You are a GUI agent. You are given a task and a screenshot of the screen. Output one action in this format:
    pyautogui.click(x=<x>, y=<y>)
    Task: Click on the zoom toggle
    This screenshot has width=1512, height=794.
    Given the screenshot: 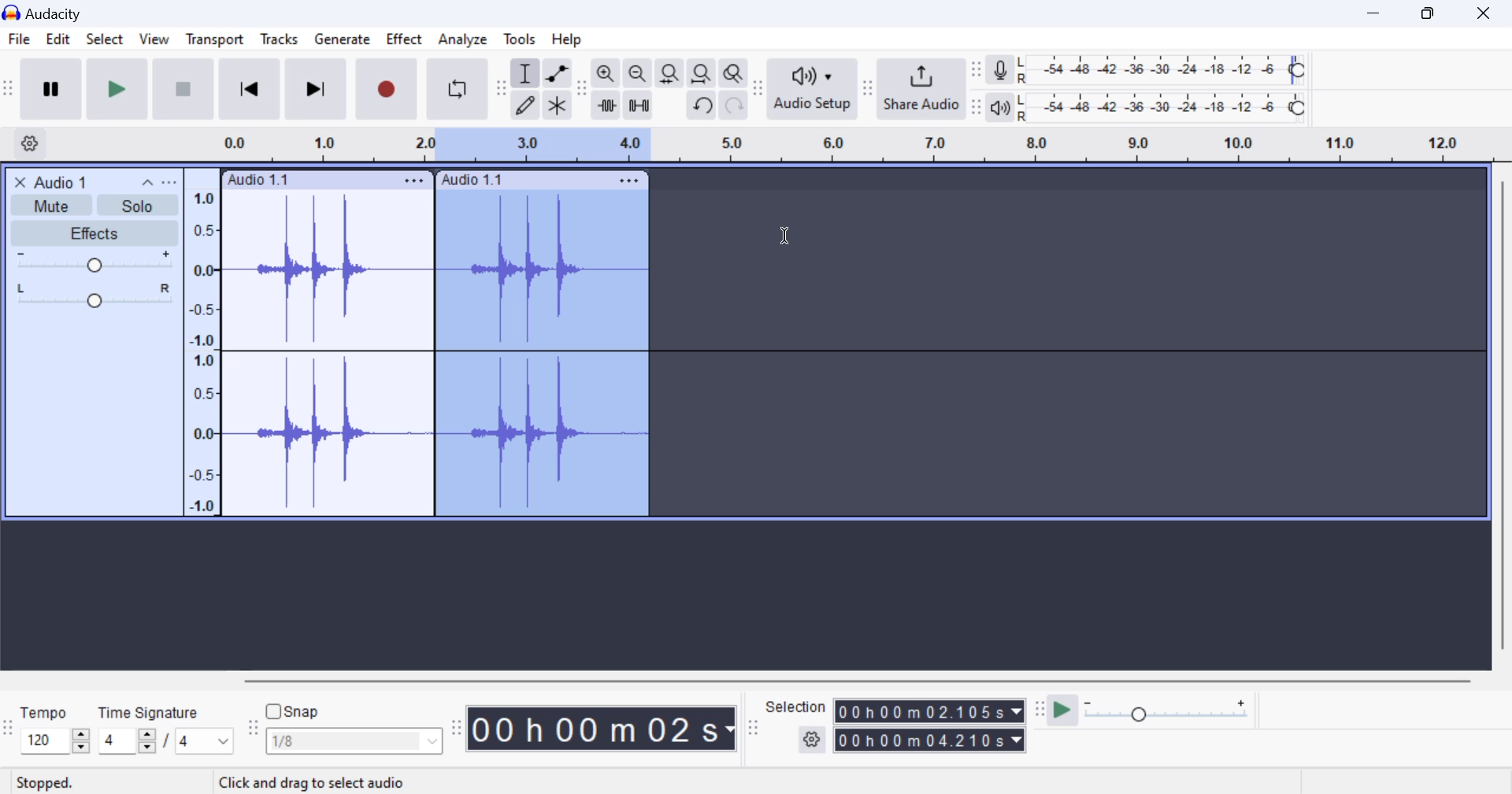 What is the action you would take?
    pyautogui.click(x=735, y=75)
    